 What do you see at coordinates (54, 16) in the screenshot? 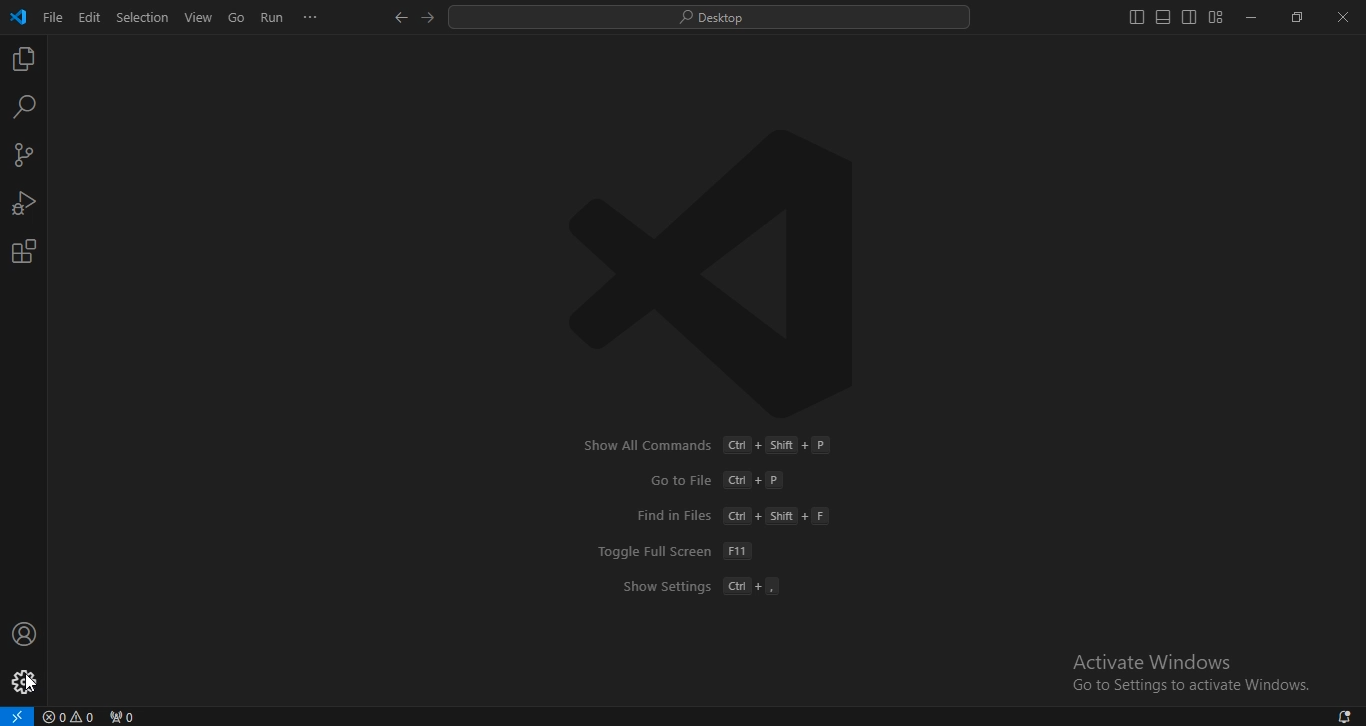
I see `file` at bounding box center [54, 16].